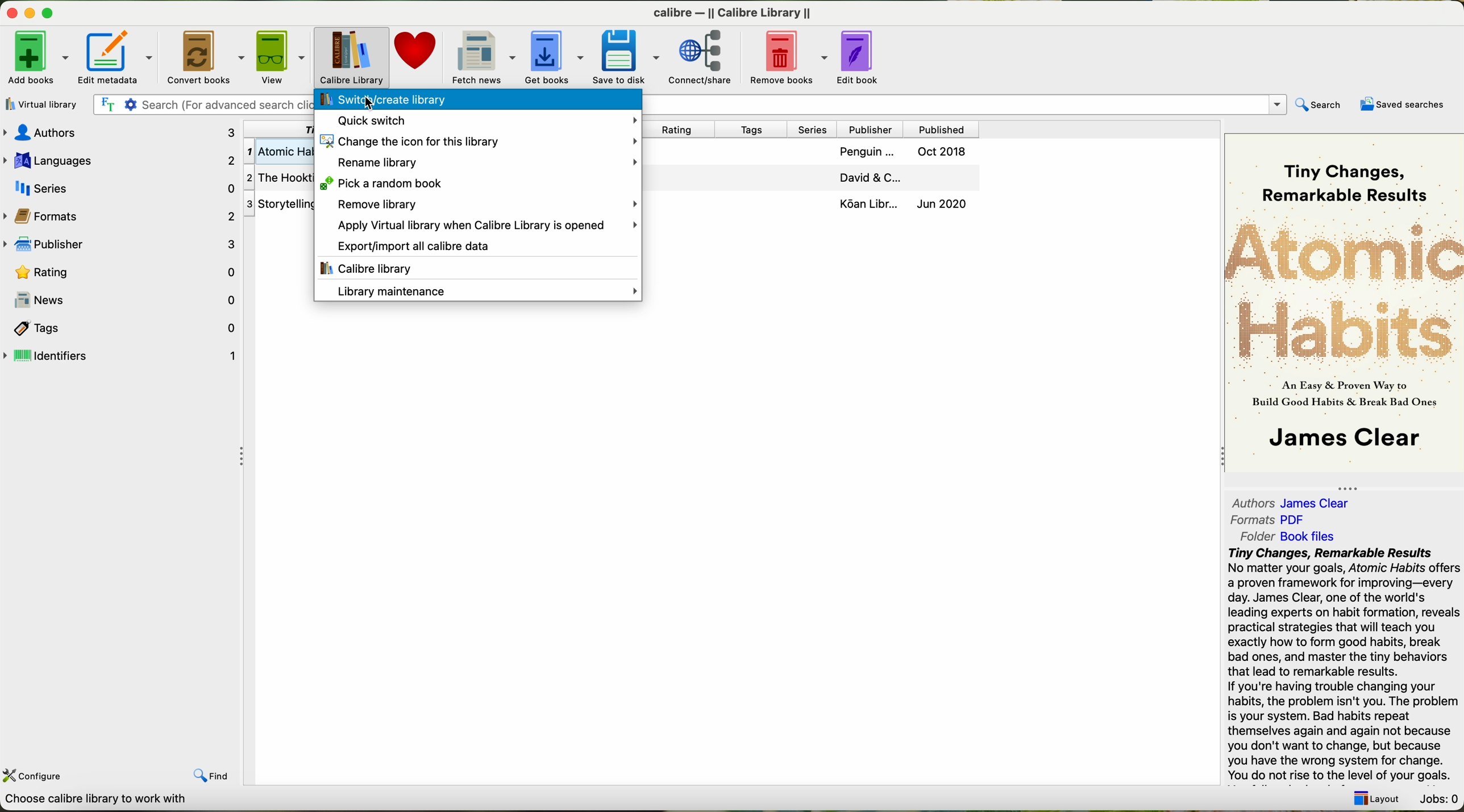  I want to click on remove books, so click(784, 56).